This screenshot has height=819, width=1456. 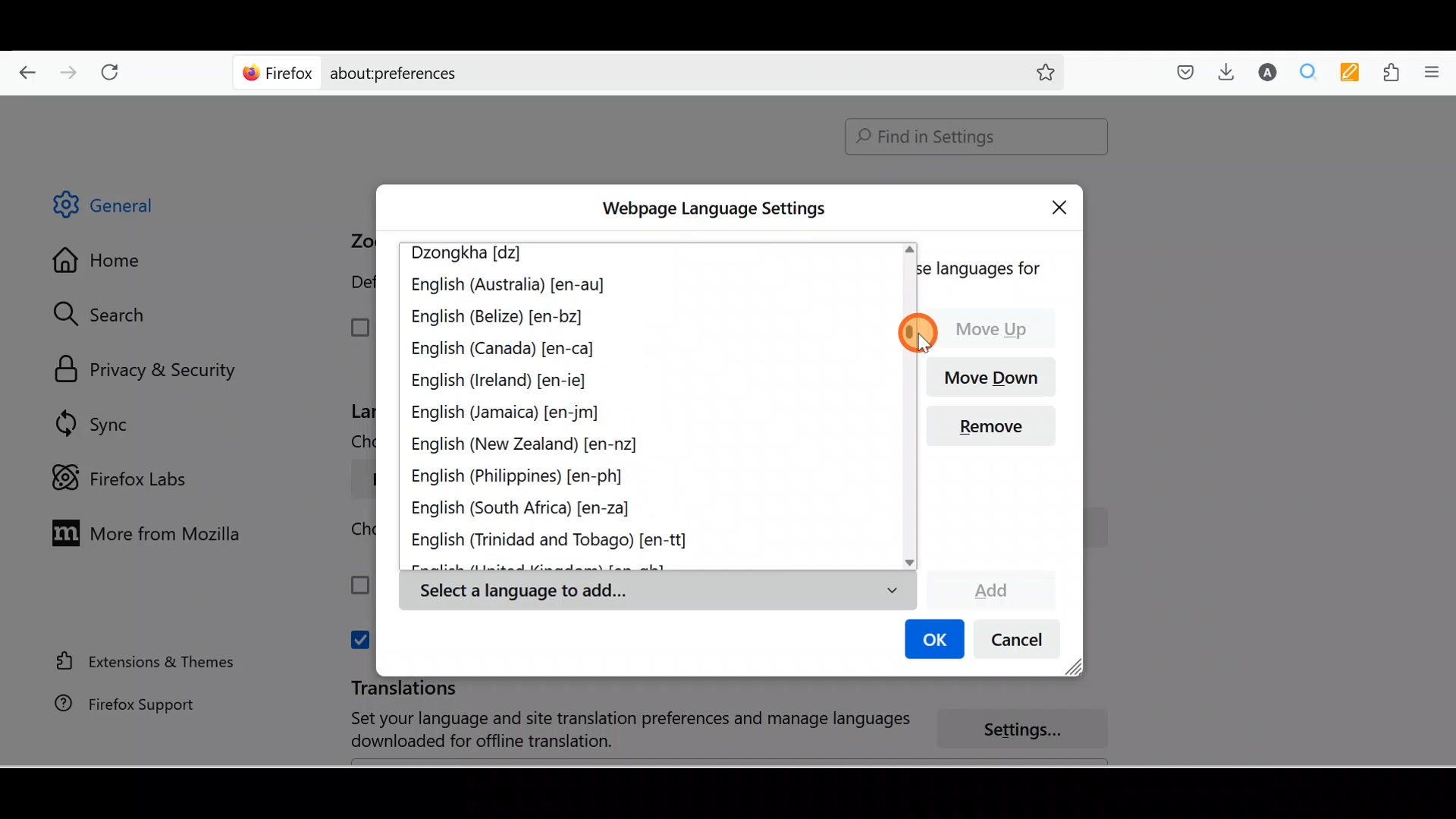 I want to click on Sync, so click(x=95, y=423).